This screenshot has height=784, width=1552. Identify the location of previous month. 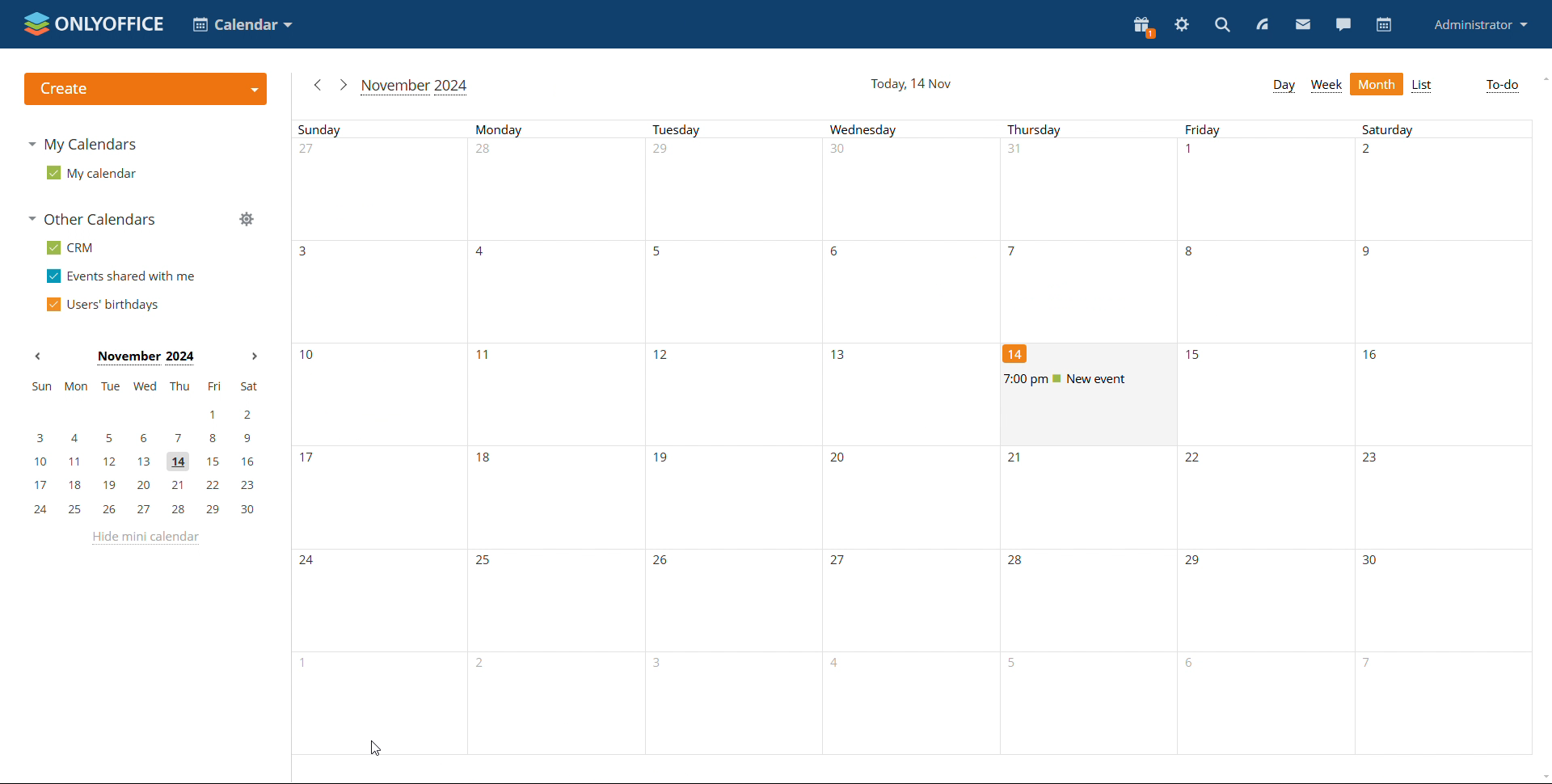
(36, 355).